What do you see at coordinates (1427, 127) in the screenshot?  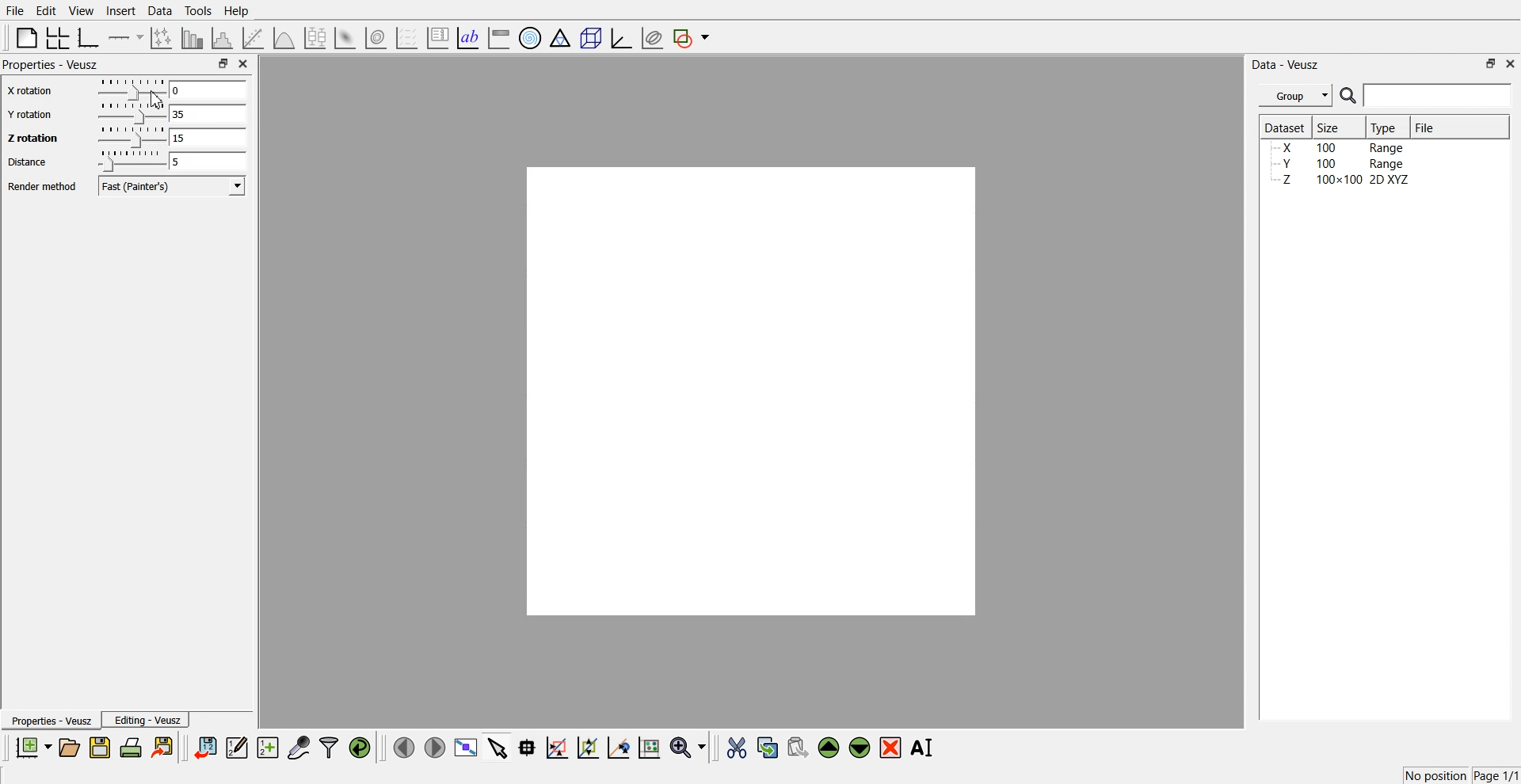 I see `File` at bounding box center [1427, 127].